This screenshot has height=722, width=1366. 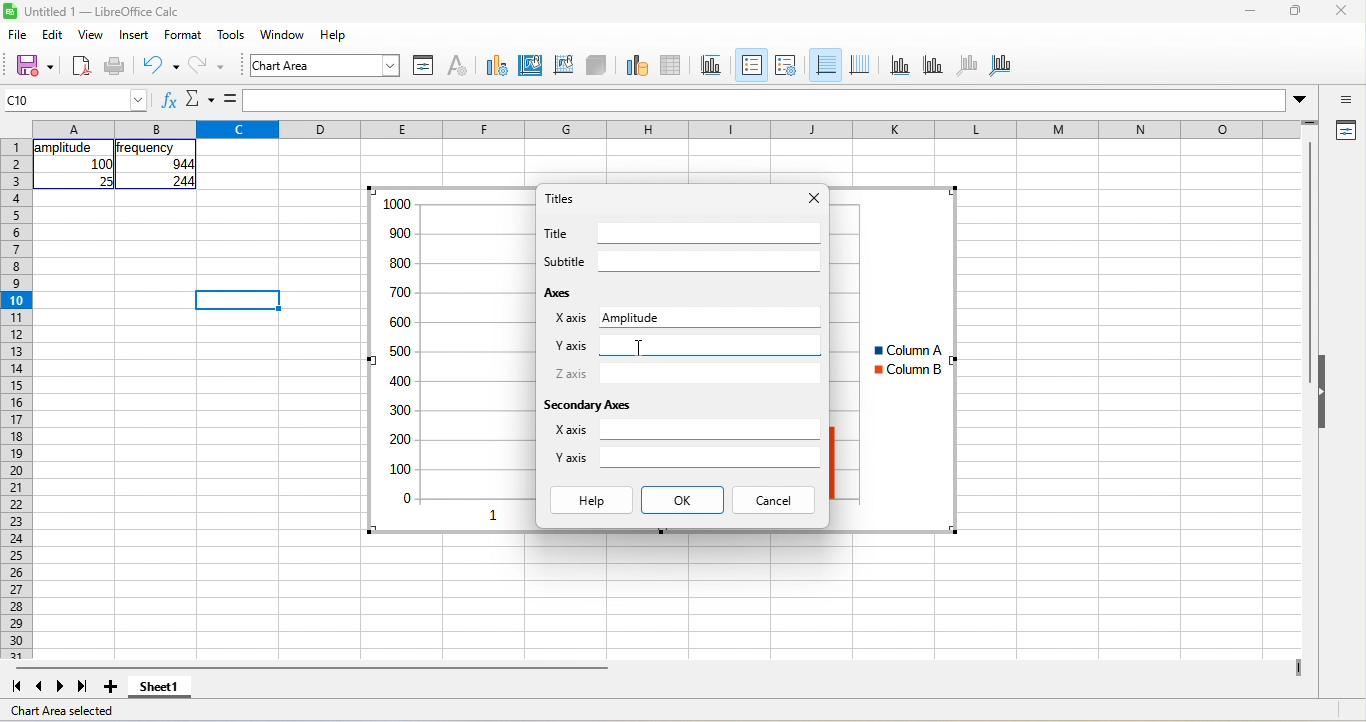 I want to click on legend on\off, so click(x=752, y=65).